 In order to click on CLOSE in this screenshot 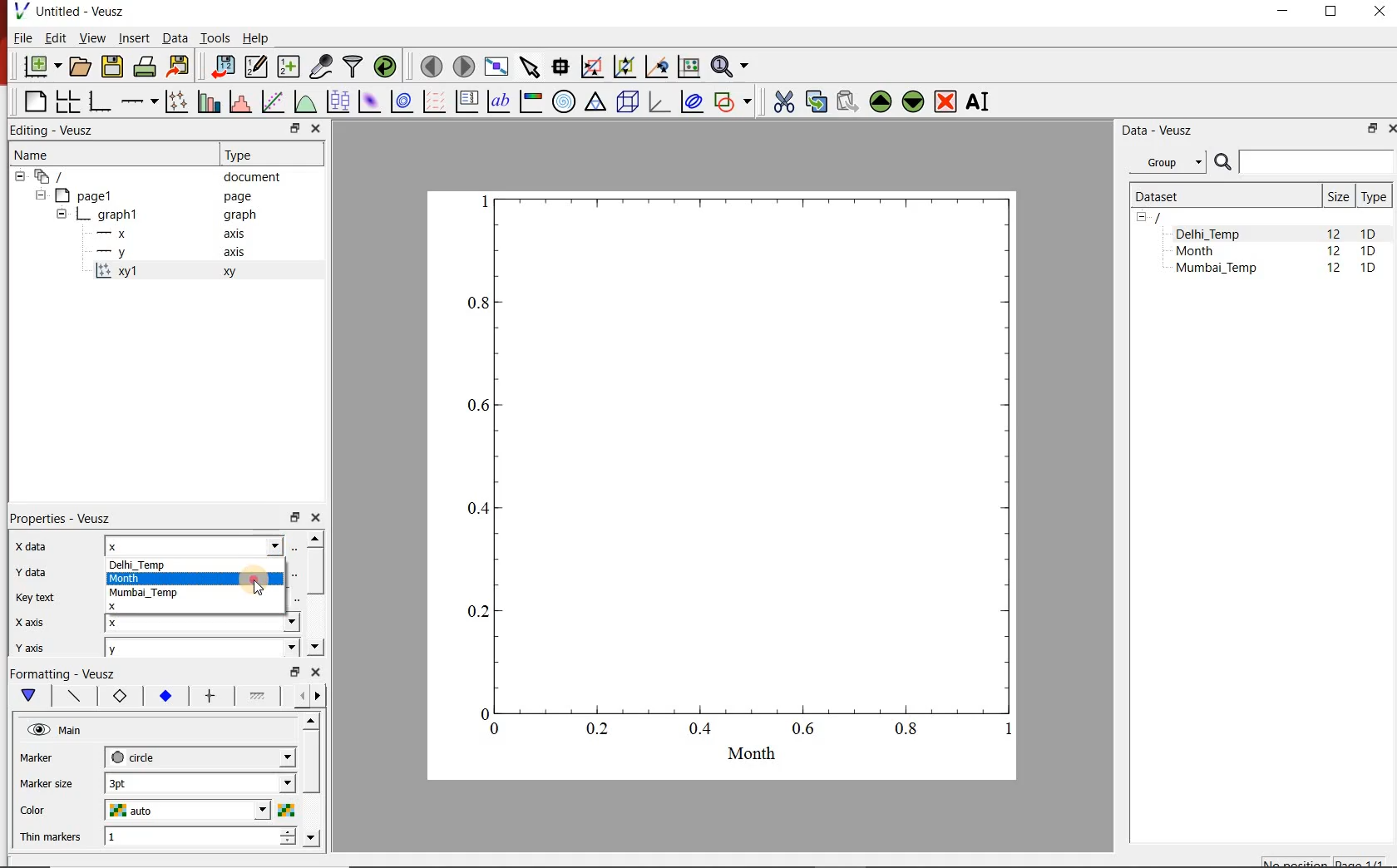, I will do `click(1377, 11)`.